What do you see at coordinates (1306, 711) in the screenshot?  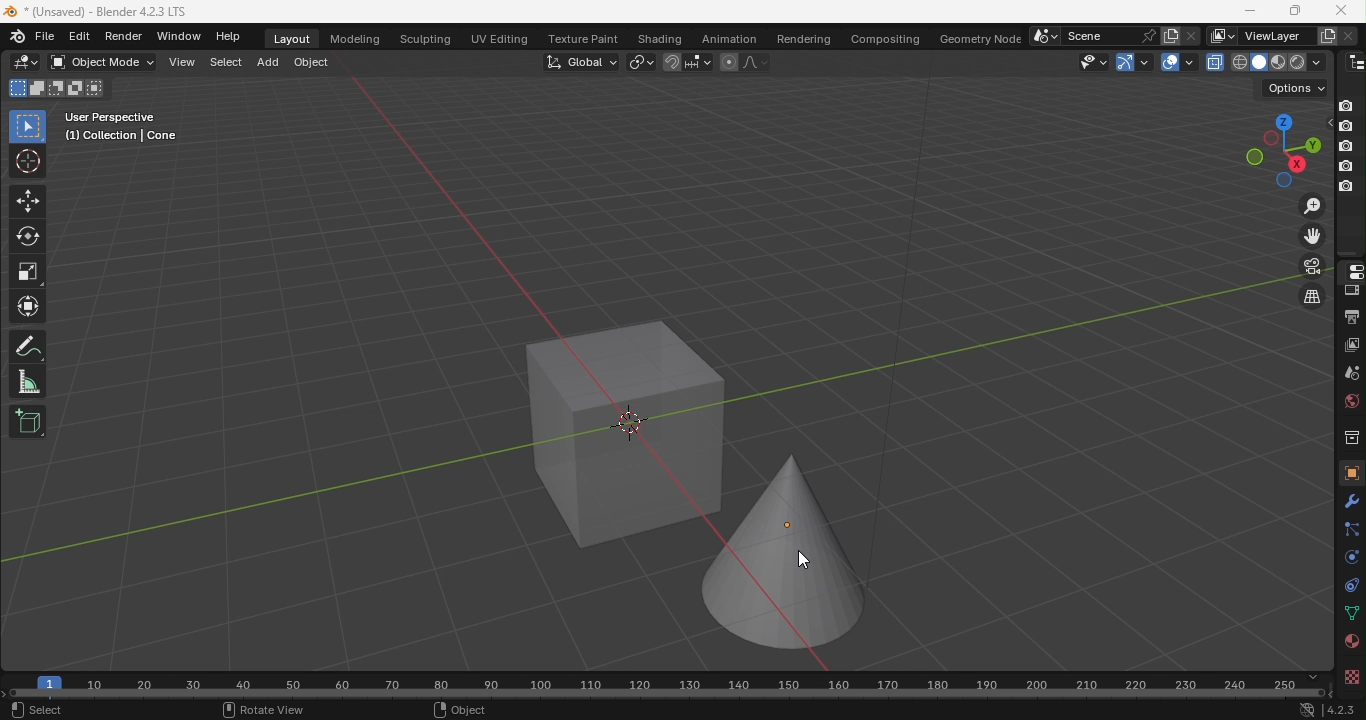 I see `Network` at bounding box center [1306, 711].